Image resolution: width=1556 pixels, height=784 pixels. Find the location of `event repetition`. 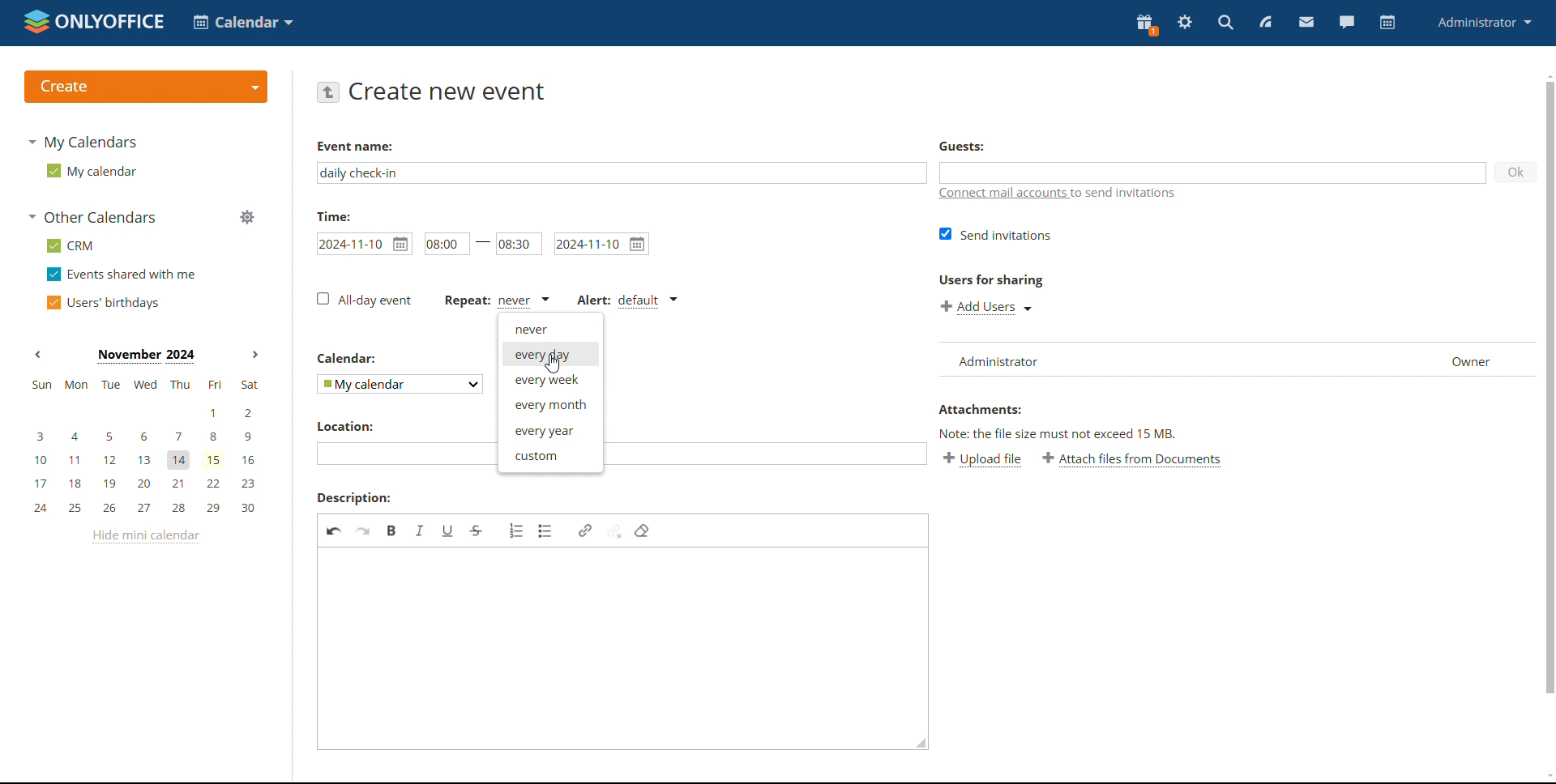

event repetition is located at coordinates (496, 300).